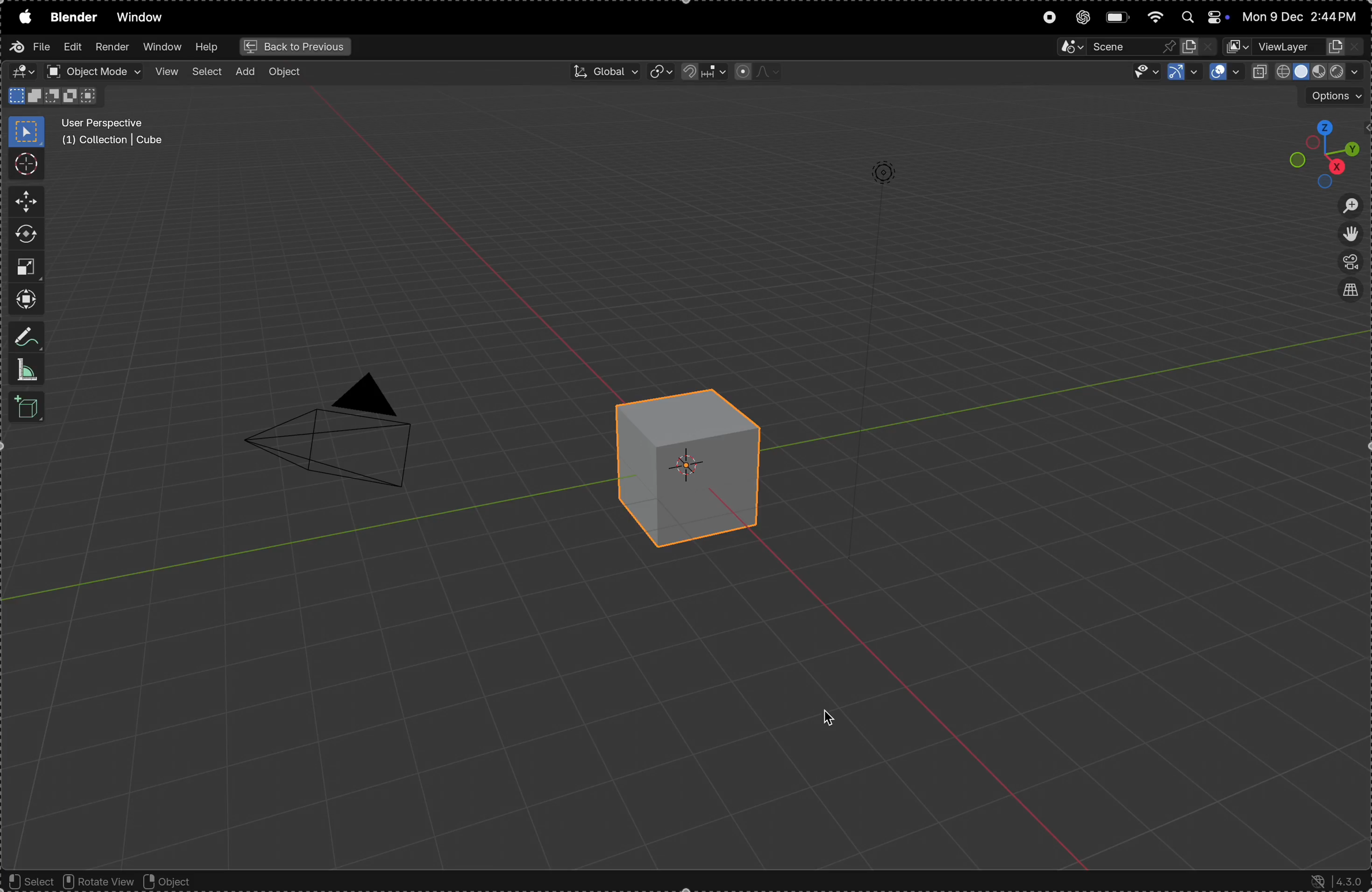 This screenshot has width=1372, height=892. What do you see at coordinates (161, 46) in the screenshot?
I see `` at bounding box center [161, 46].